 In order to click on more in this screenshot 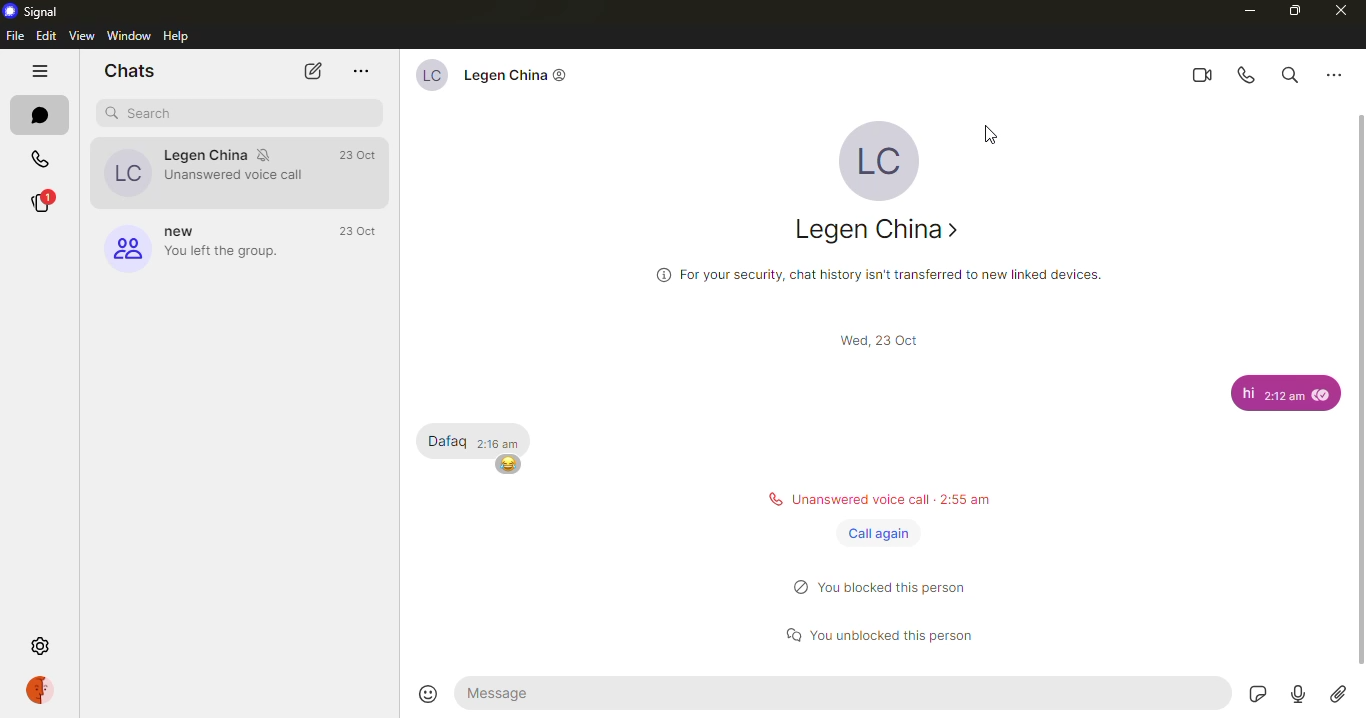, I will do `click(361, 69)`.